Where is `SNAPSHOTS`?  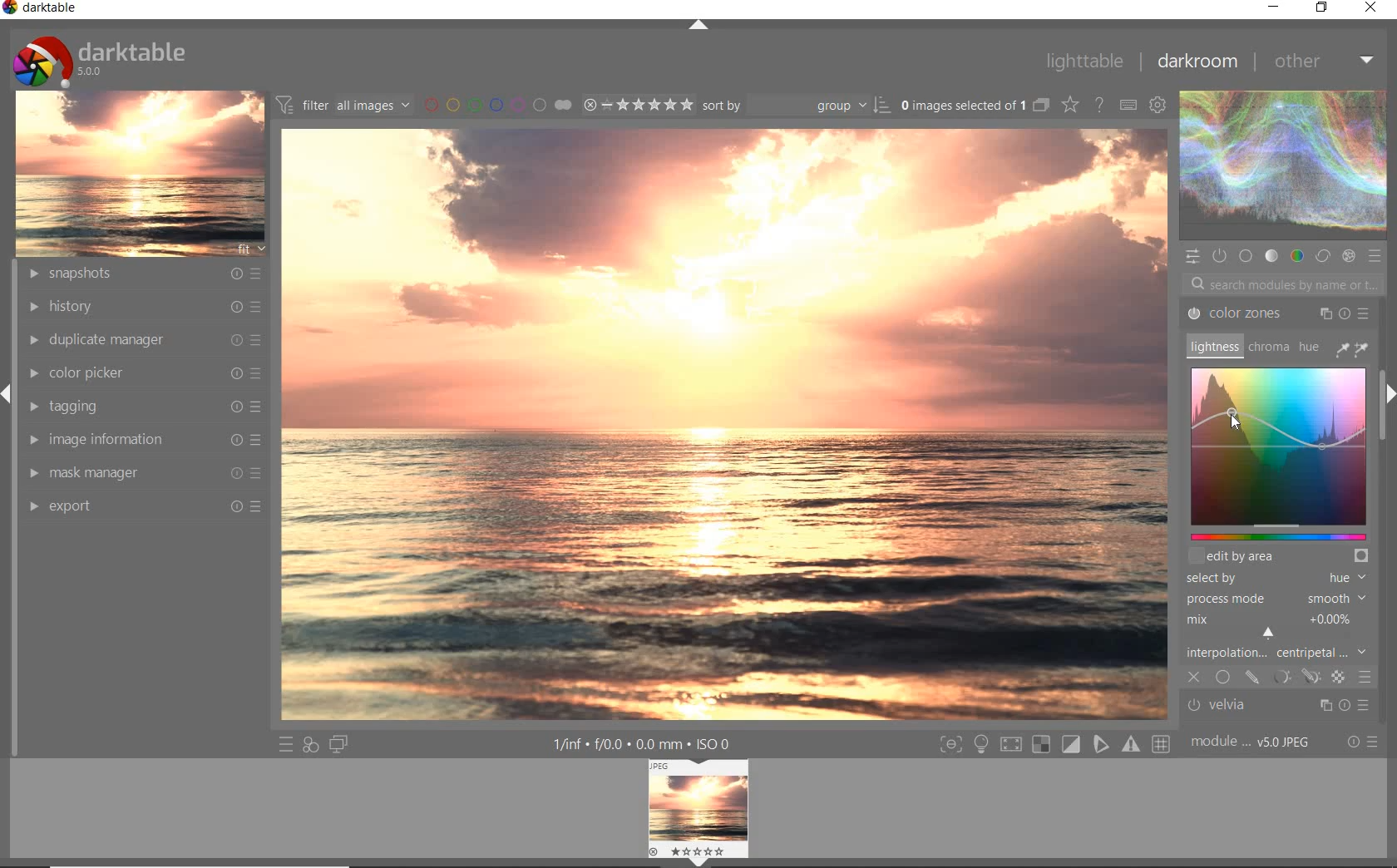 SNAPSHOTS is located at coordinates (143, 274).